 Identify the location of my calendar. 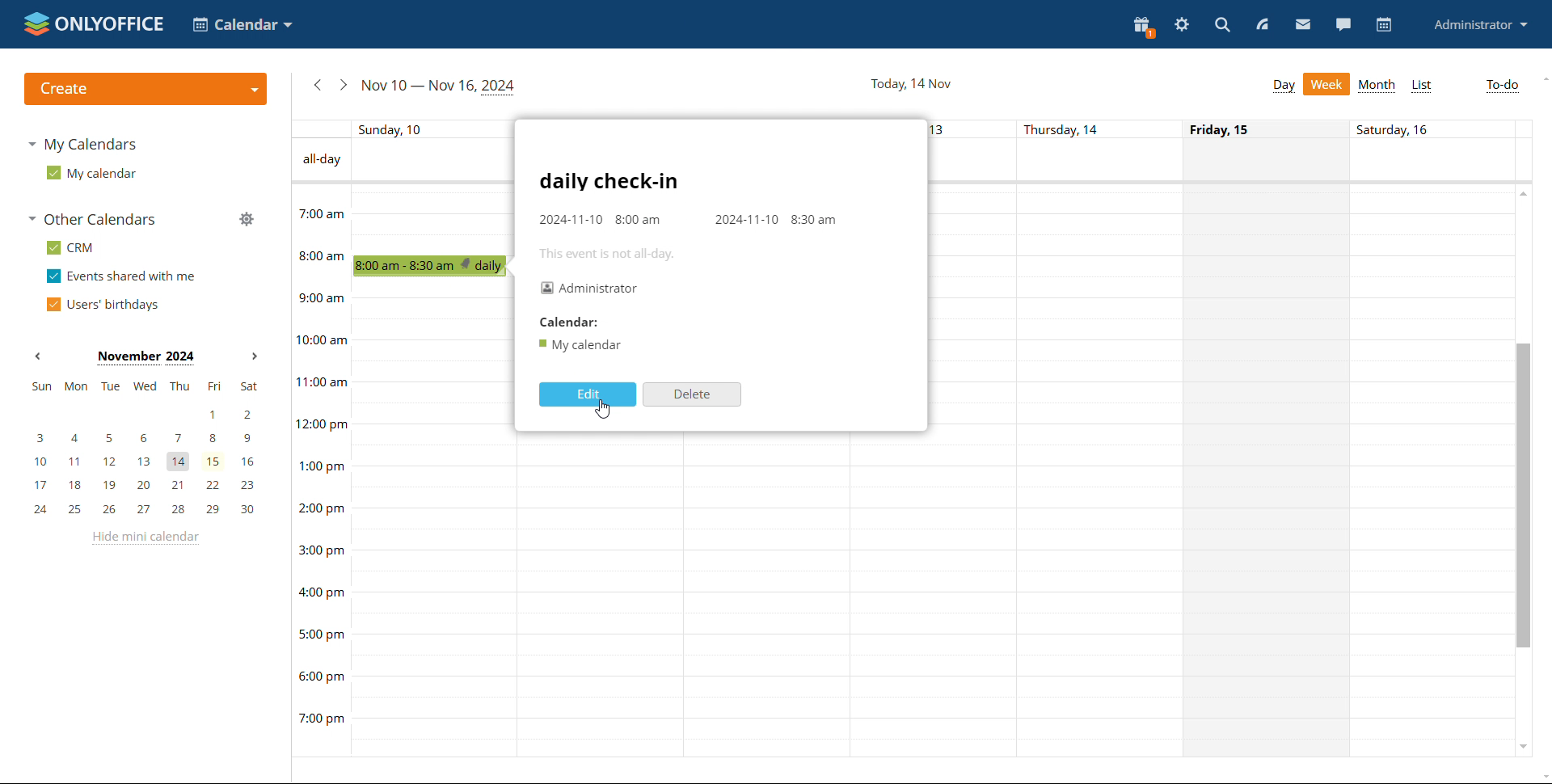
(90, 172).